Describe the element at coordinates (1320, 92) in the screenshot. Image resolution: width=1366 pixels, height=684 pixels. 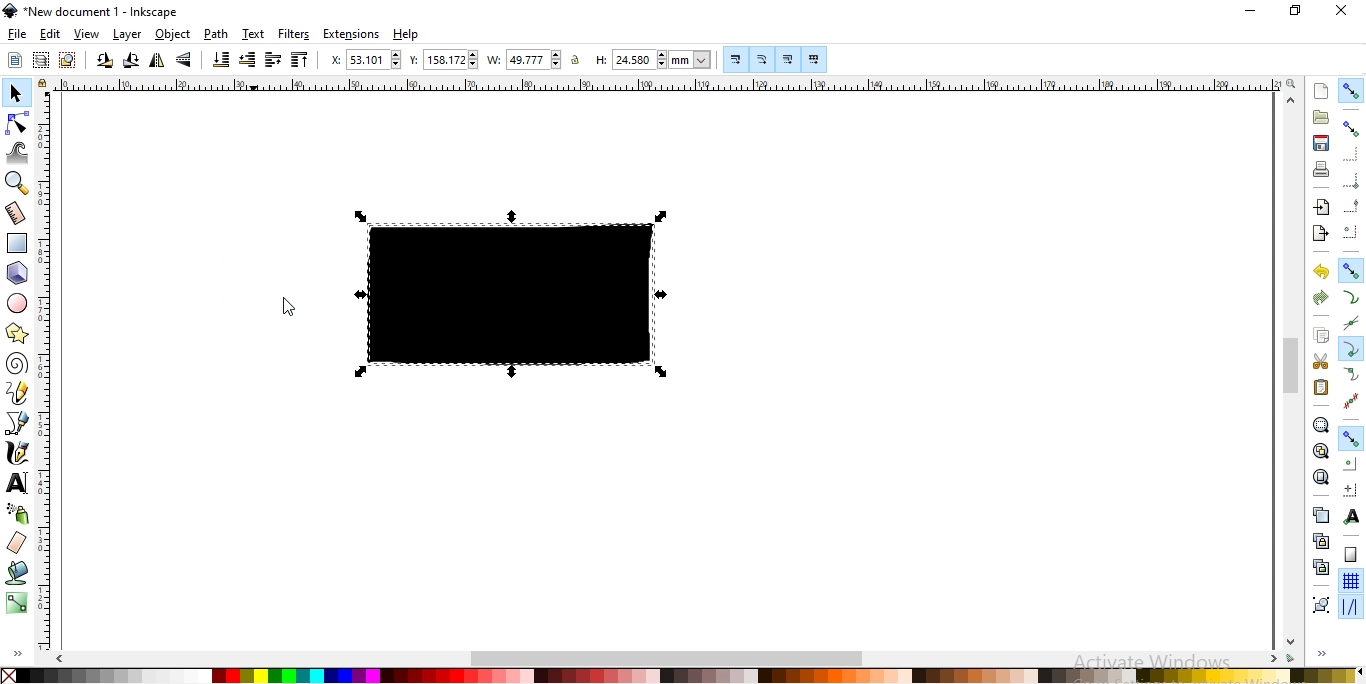
I see `create new document fro default template` at that location.